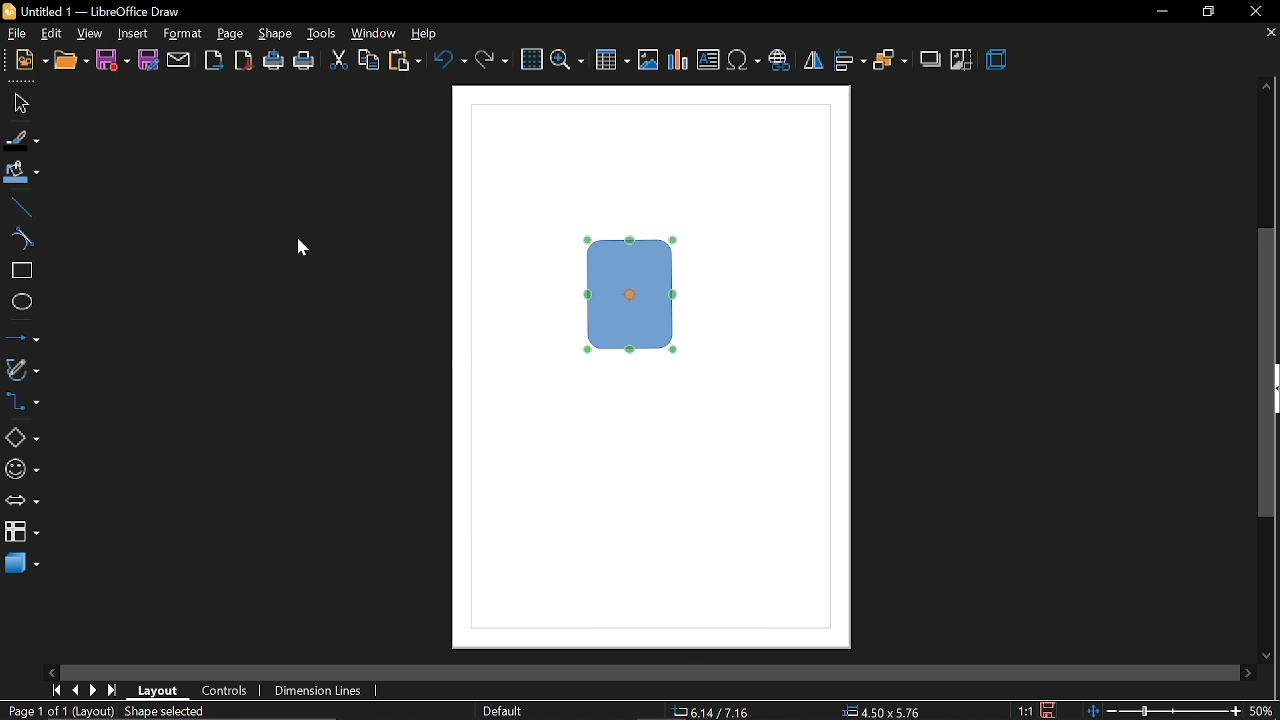 This screenshot has width=1280, height=720. What do you see at coordinates (1246, 673) in the screenshot?
I see `move right` at bounding box center [1246, 673].